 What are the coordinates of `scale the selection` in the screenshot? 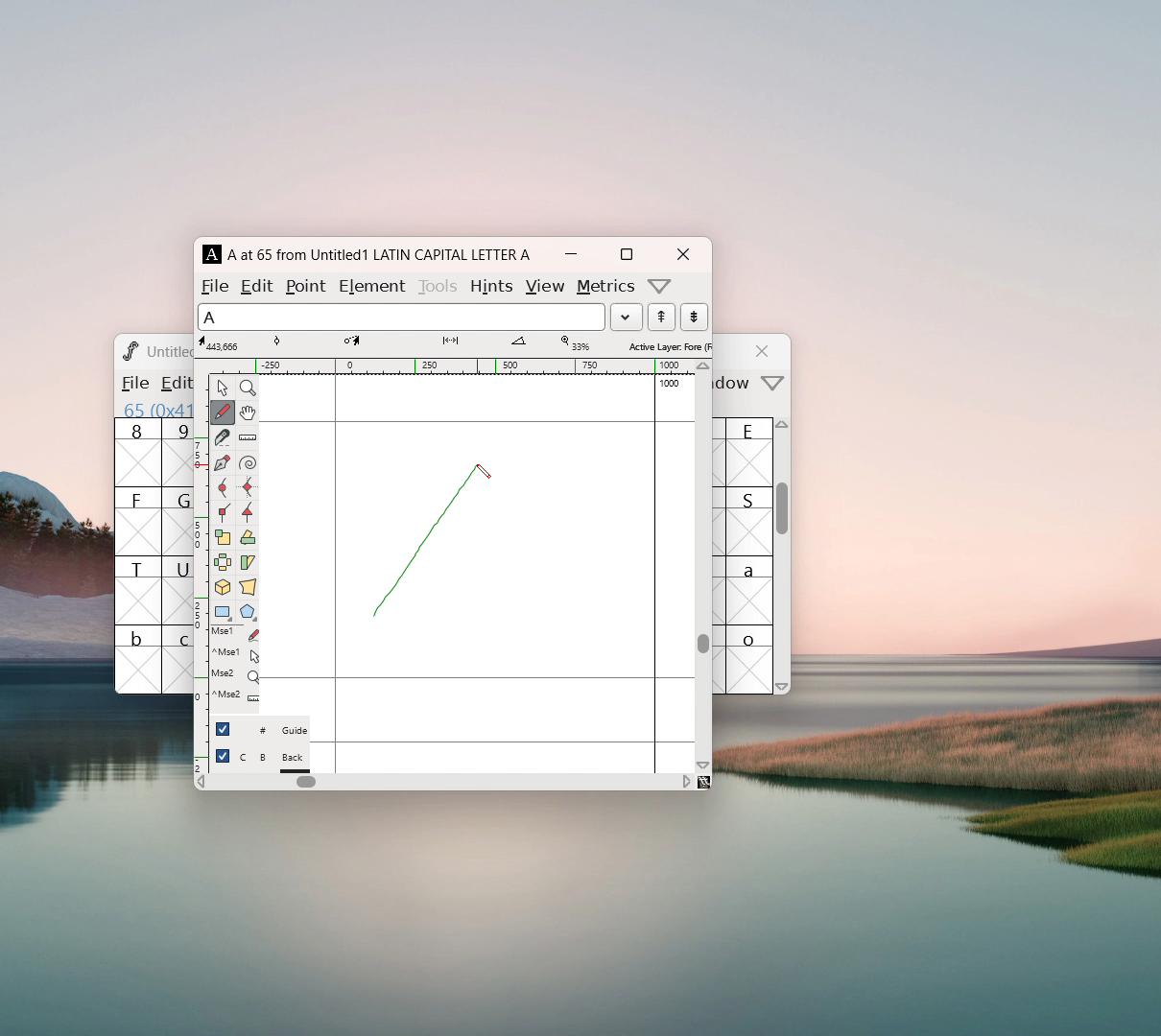 It's located at (223, 538).